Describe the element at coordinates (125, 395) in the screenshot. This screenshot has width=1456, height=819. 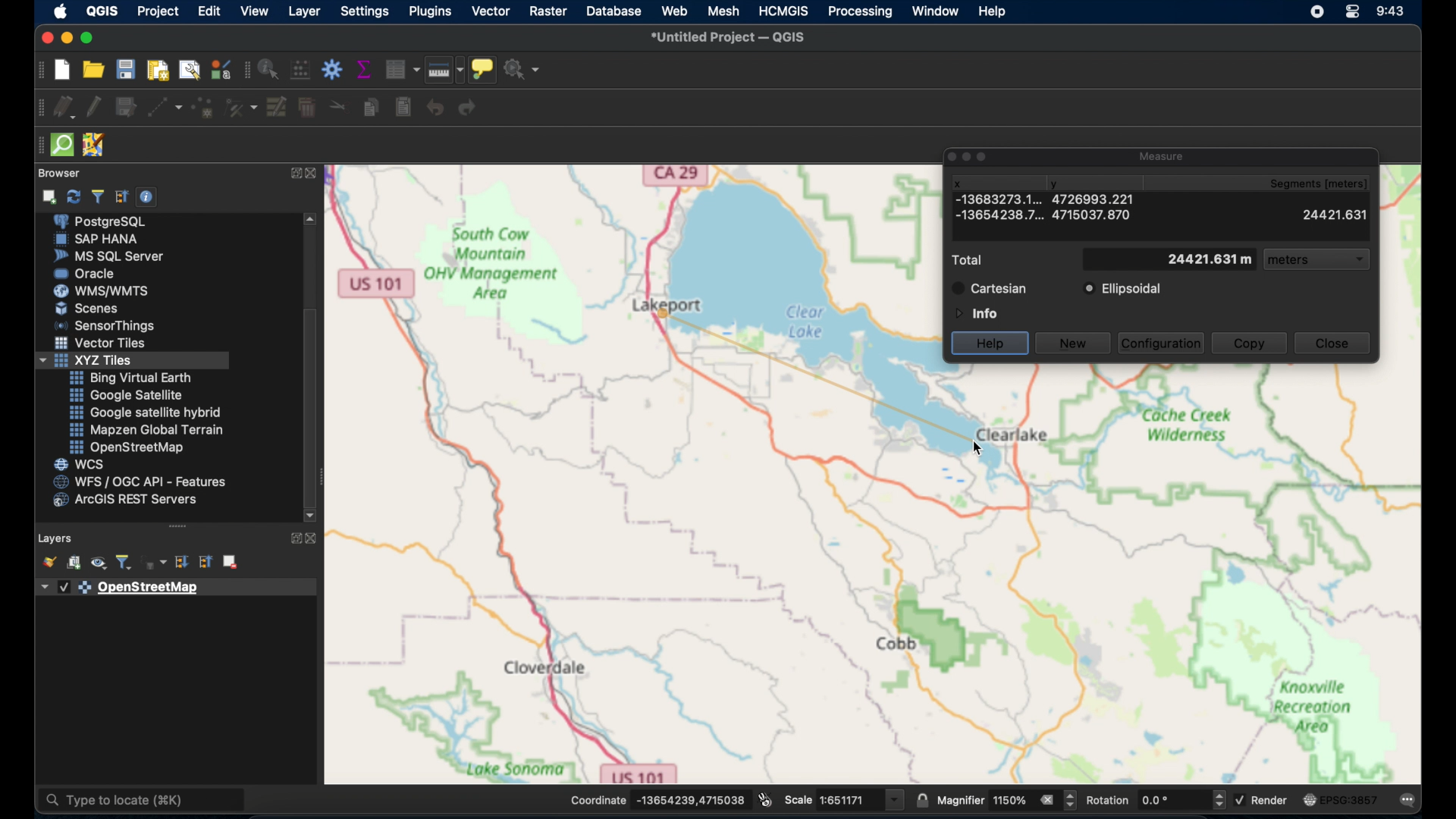
I see `google satellite` at that location.